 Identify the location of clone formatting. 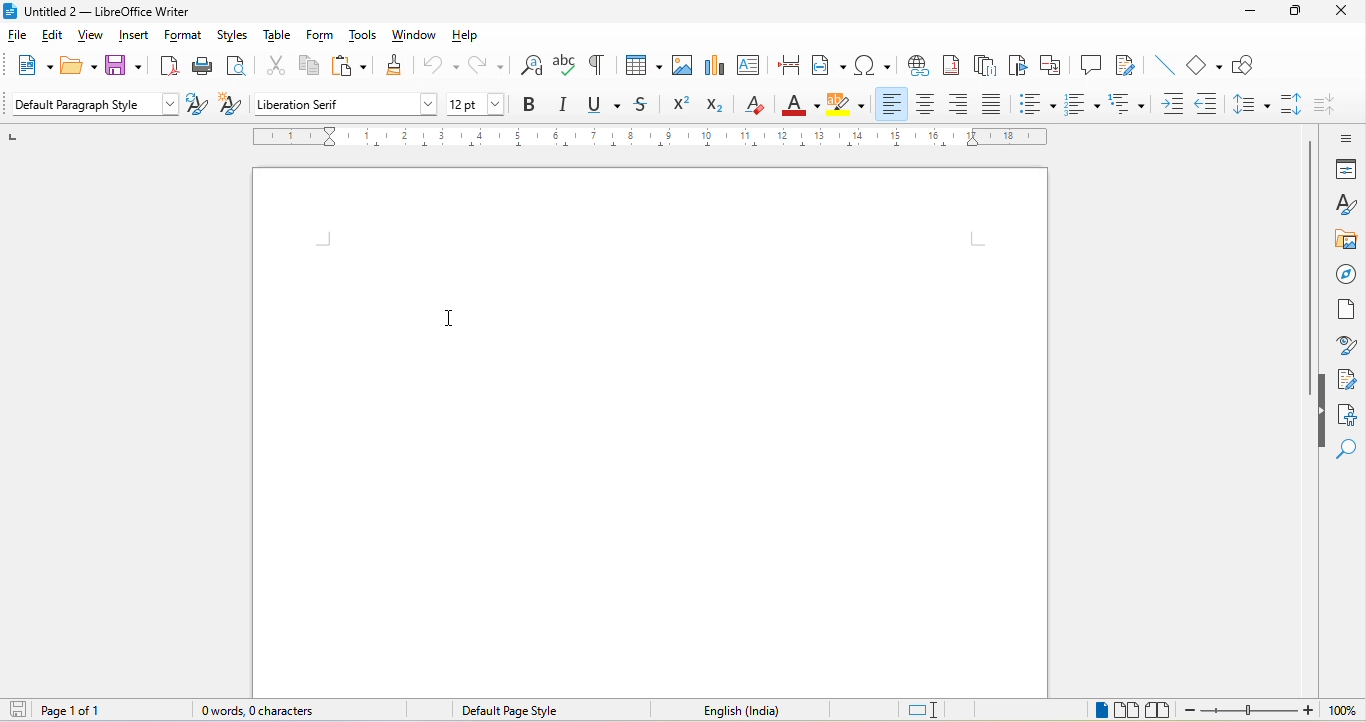
(397, 68).